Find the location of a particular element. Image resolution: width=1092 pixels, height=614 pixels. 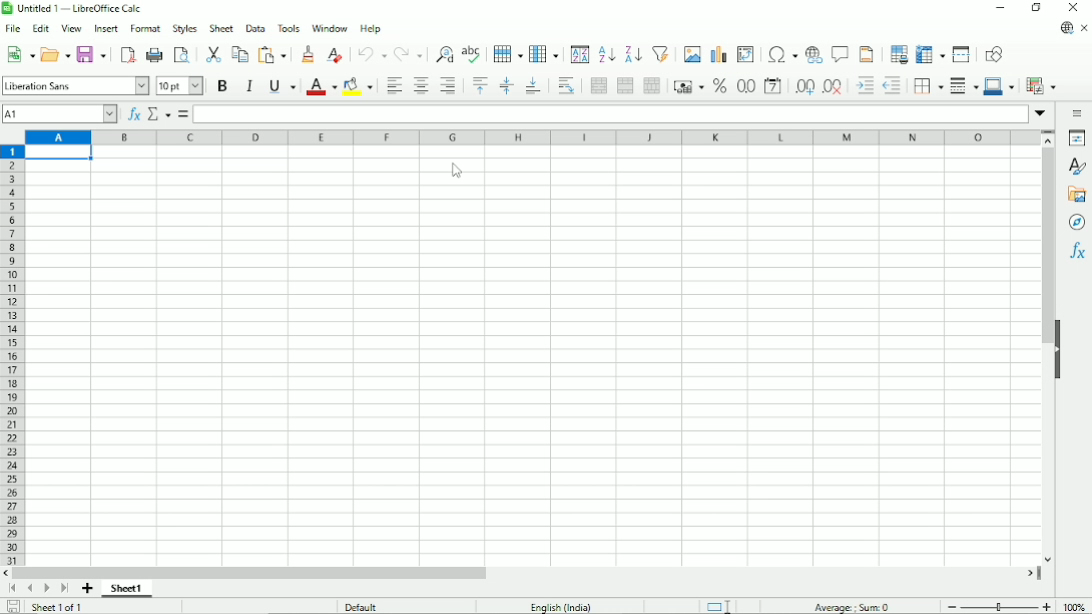

Align bottom is located at coordinates (533, 86).